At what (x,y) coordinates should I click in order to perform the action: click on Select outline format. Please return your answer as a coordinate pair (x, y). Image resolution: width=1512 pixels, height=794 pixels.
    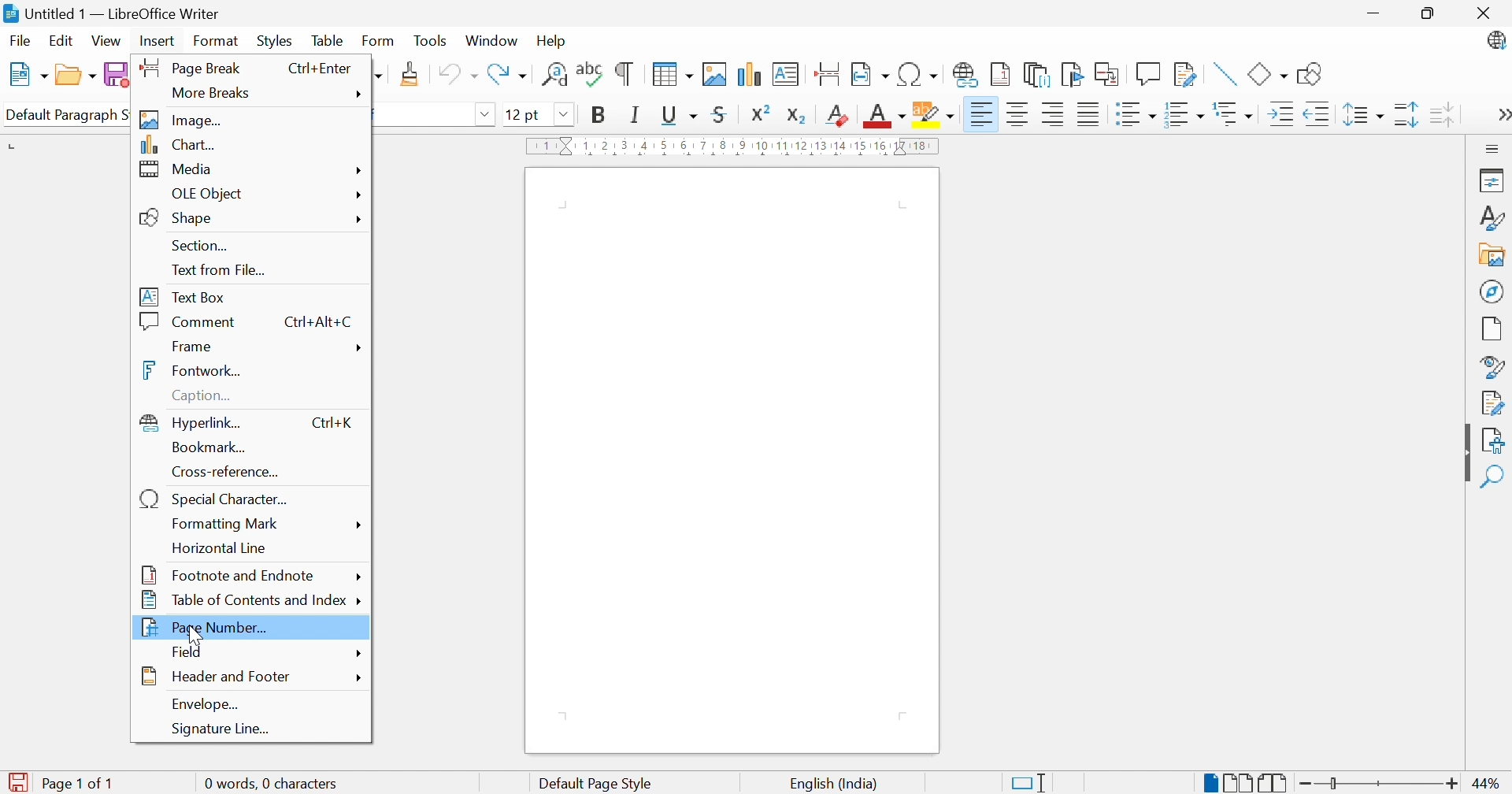
    Looking at the image, I should click on (1236, 115).